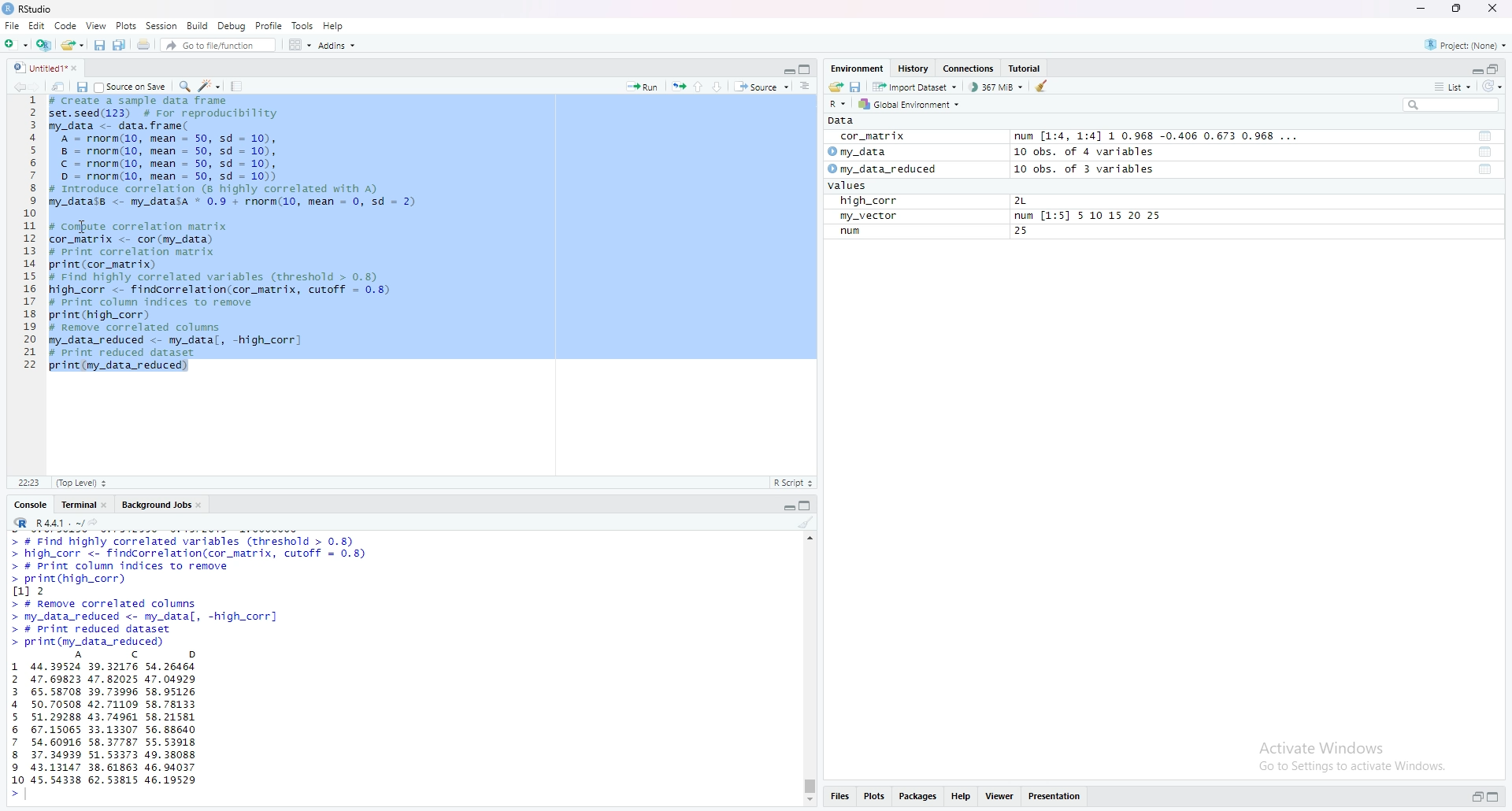 Image resolution: width=1512 pixels, height=811 pixels. Describe the element at coordinates (46, 45) in the screenshot. I see `add file` at that location.